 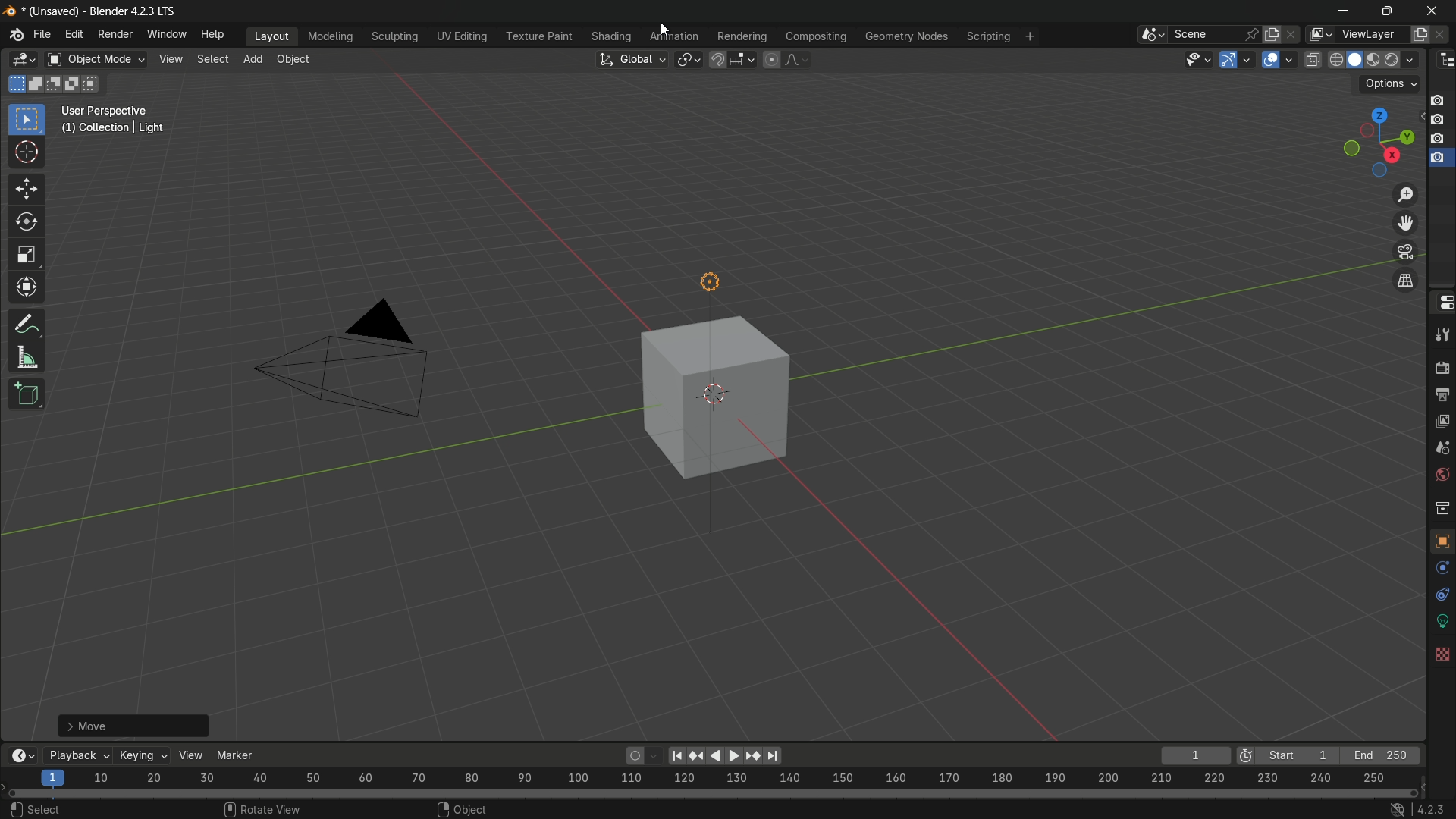 What do you see at coordinates (266, 808) in the screenshot?
I see `rotate view` at bounding box center [266, 808].